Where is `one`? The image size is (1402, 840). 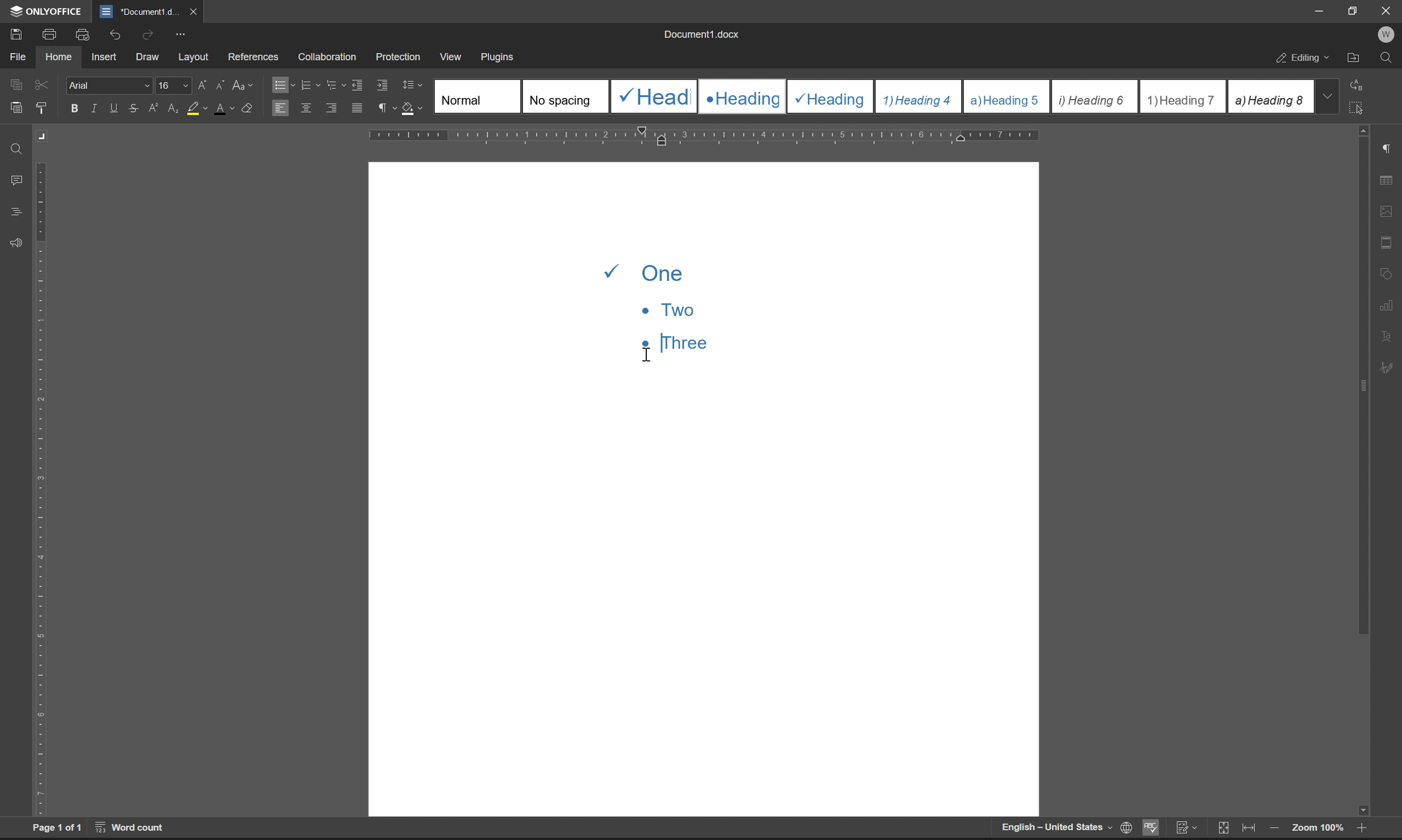
one is located at coordinates (658, 269).